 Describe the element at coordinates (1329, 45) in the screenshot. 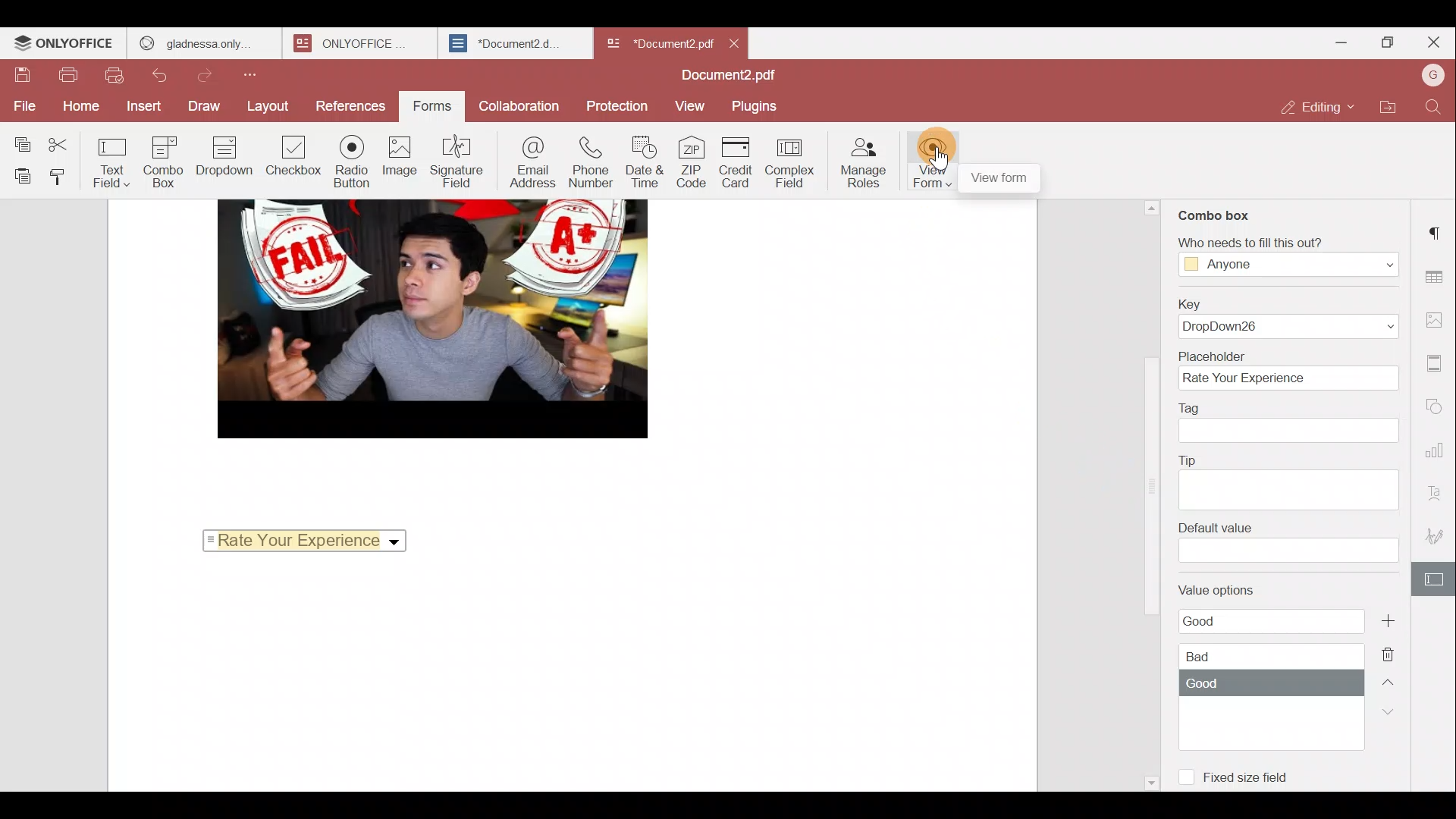

I see `Minimize` at that location.